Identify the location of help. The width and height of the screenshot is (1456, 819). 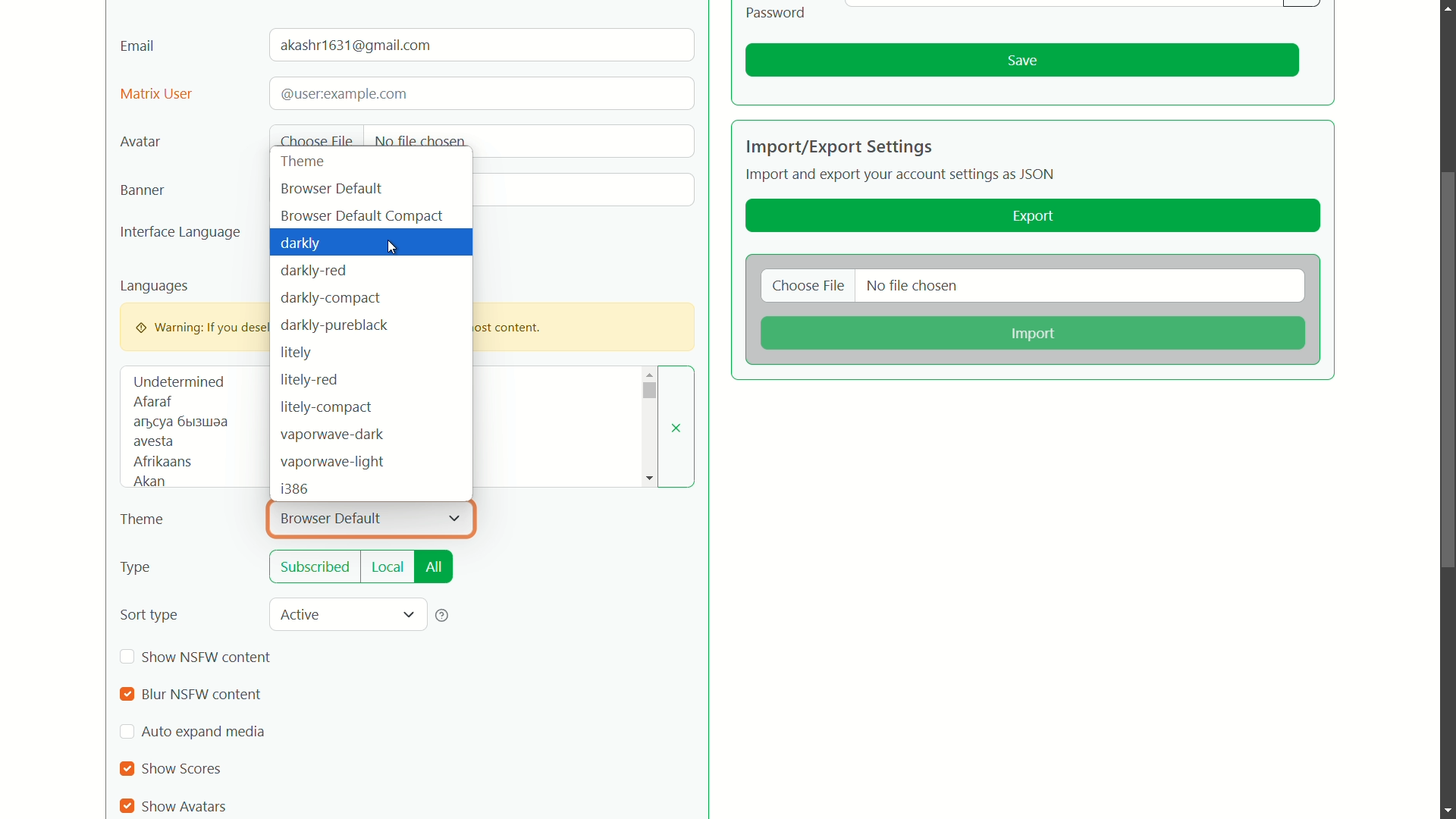
(443, 615).